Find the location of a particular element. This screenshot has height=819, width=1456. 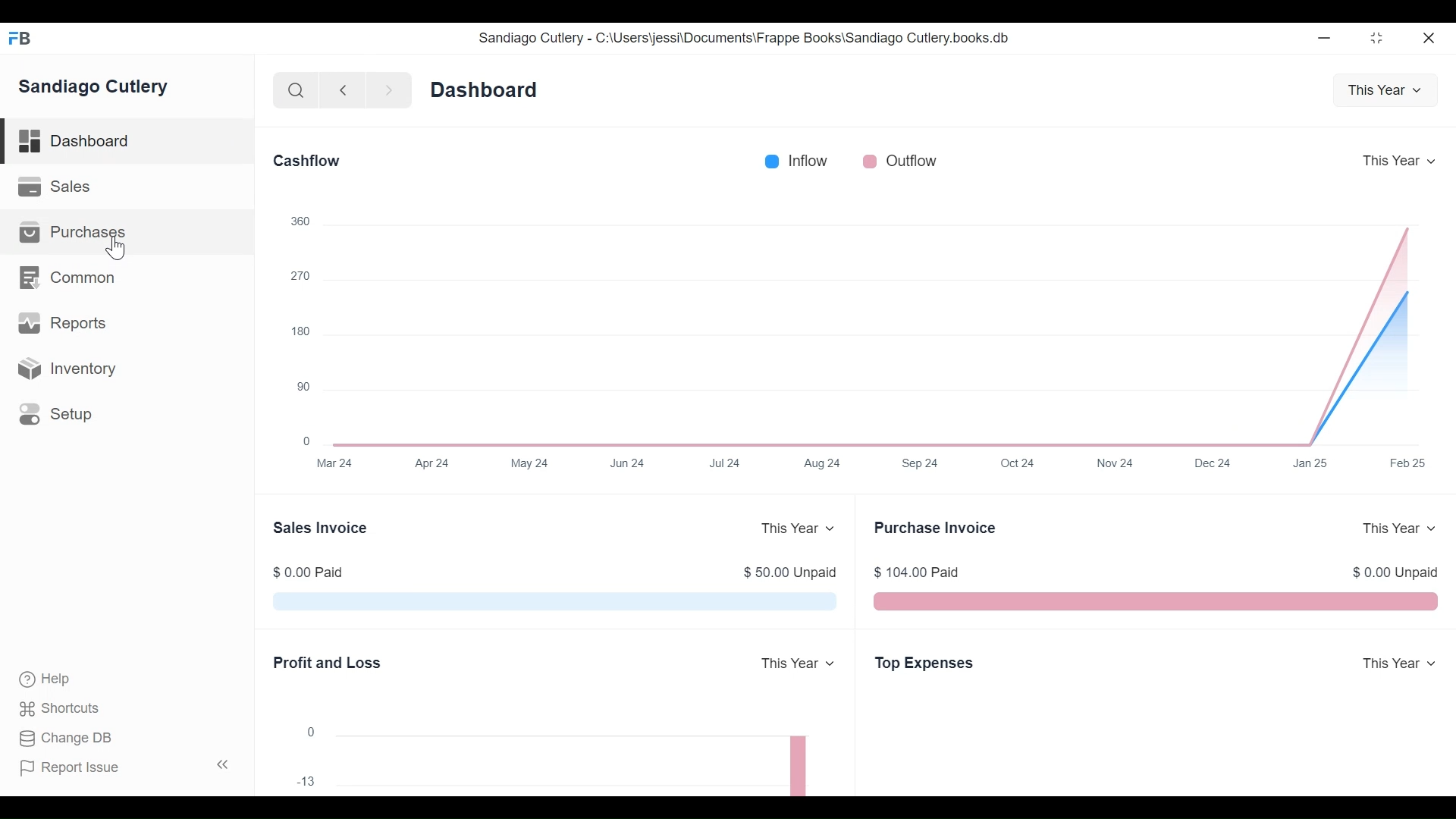

This Year is located at coordinates (1381, 91).